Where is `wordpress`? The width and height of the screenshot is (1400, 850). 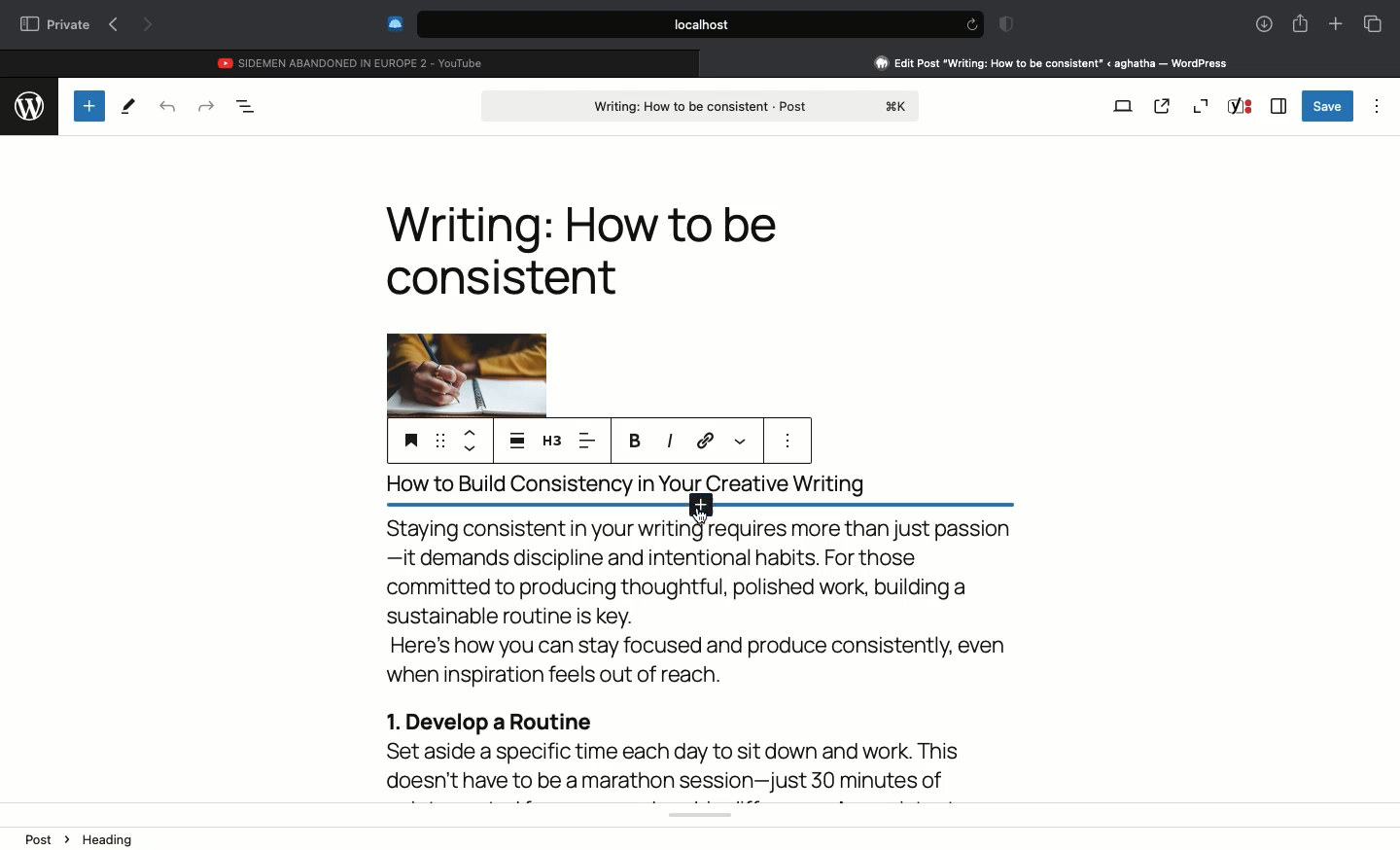
wordpress is located at coordinates (28, 103).